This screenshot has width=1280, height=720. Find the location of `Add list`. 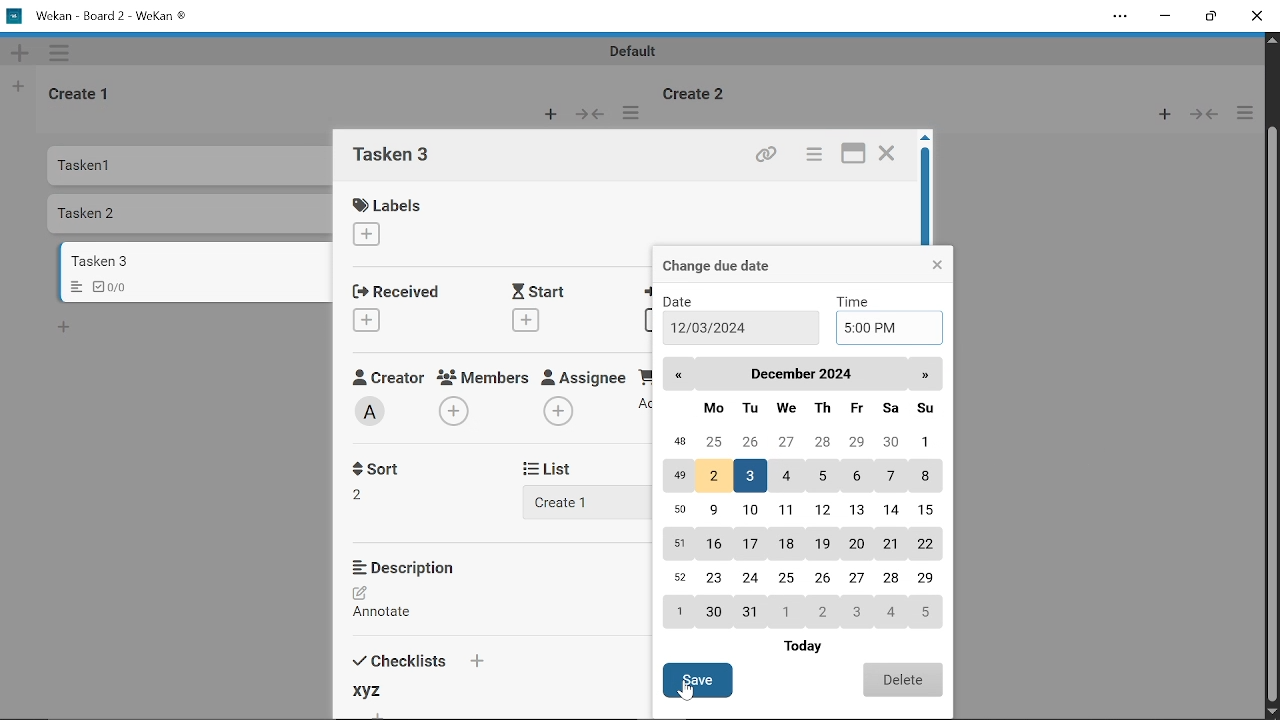

Add list is located at coordinates (572, 501).